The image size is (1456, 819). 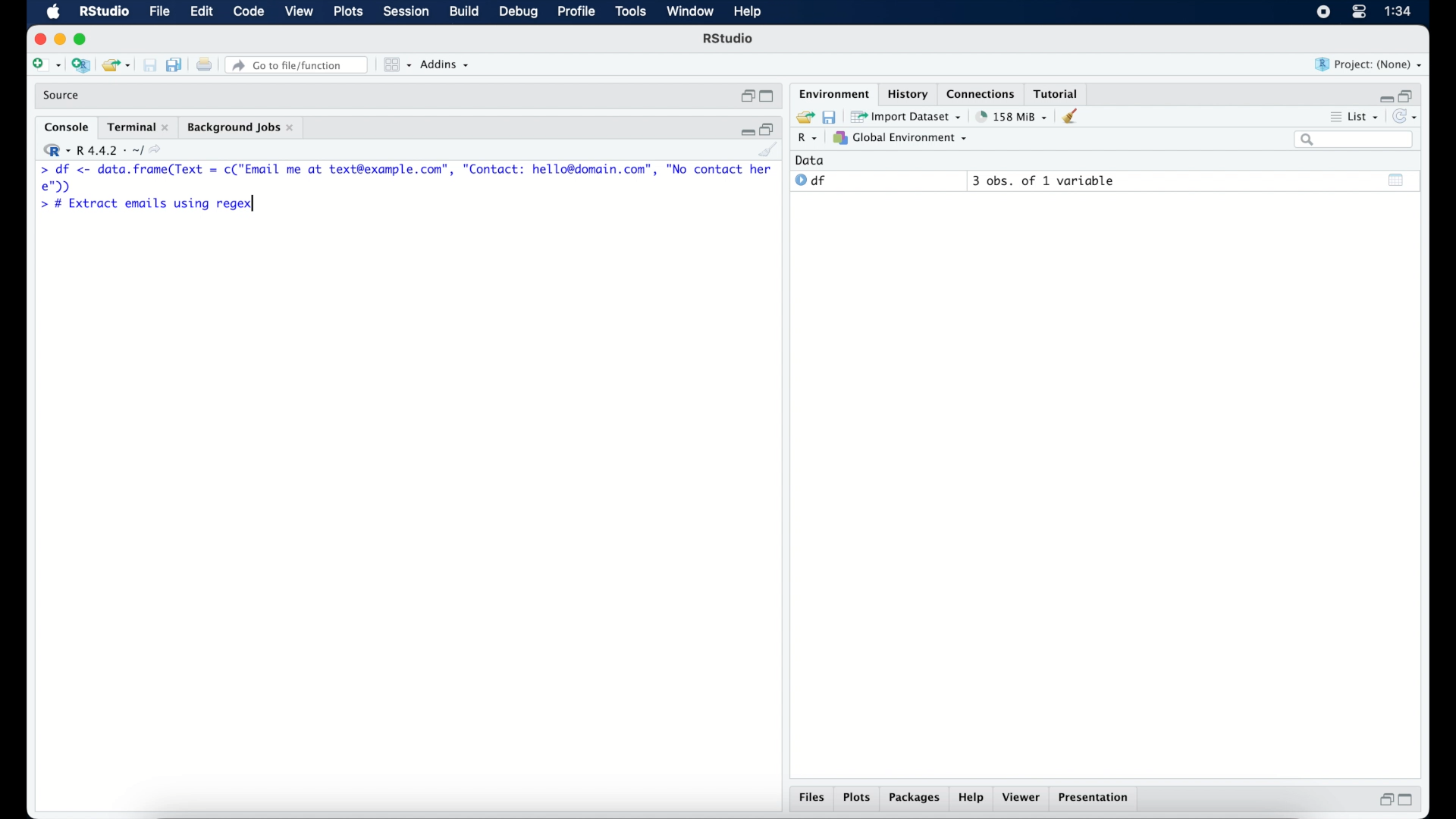 I want to click on open existing project, so click(x=115, y=64).